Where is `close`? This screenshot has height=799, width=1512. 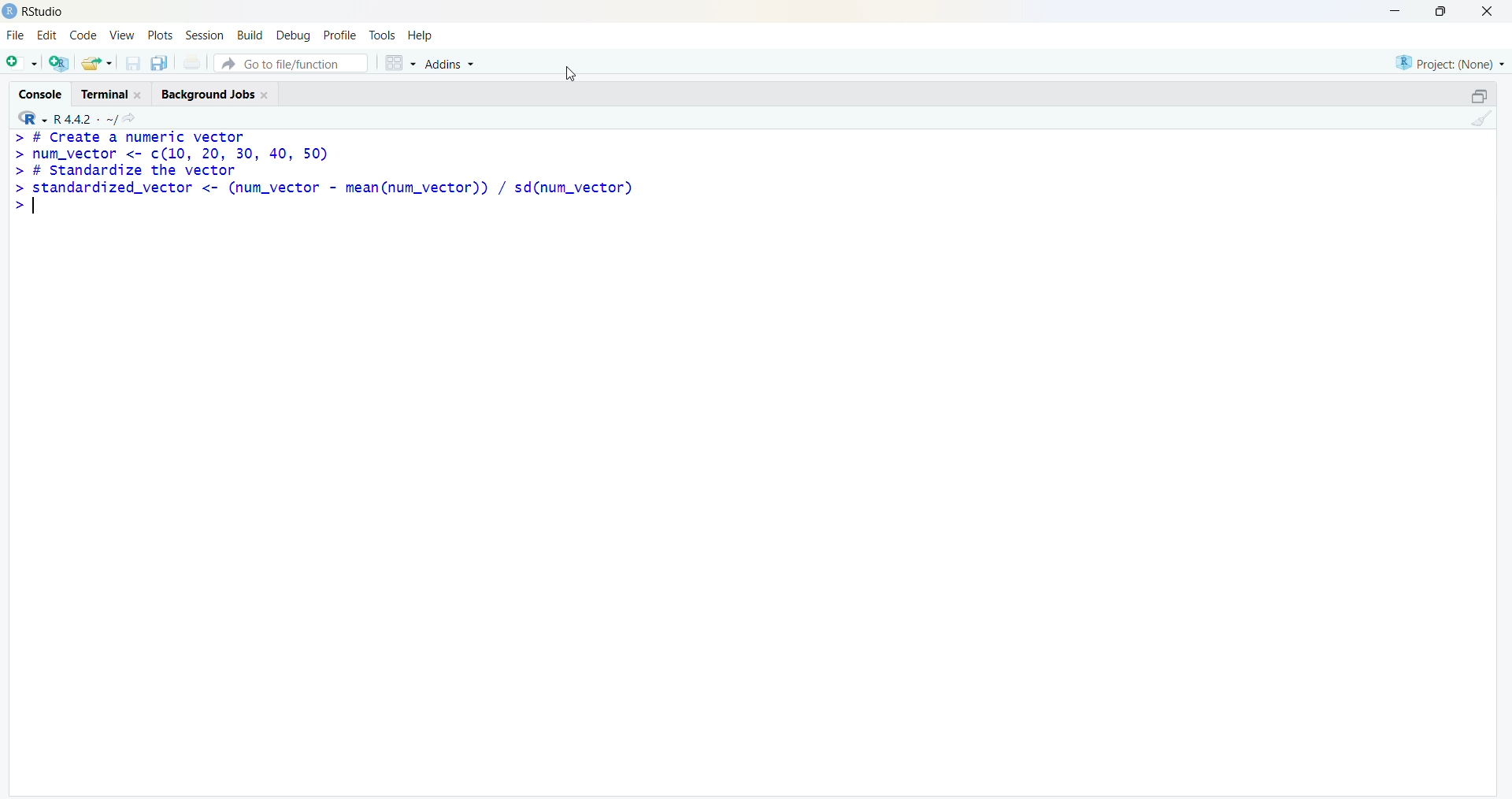
close is located at coordinates (265, 95).